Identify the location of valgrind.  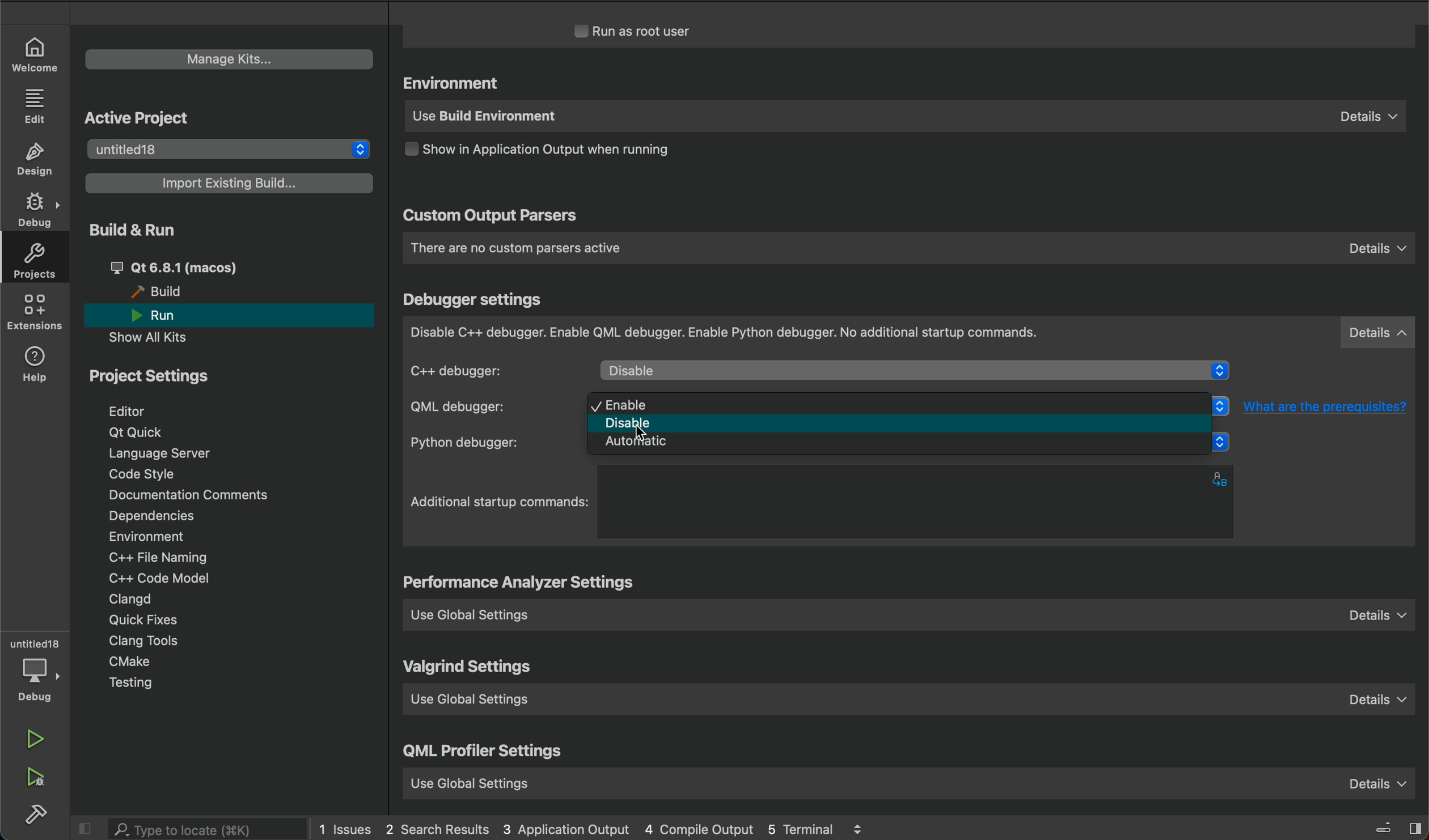
(470, 668).